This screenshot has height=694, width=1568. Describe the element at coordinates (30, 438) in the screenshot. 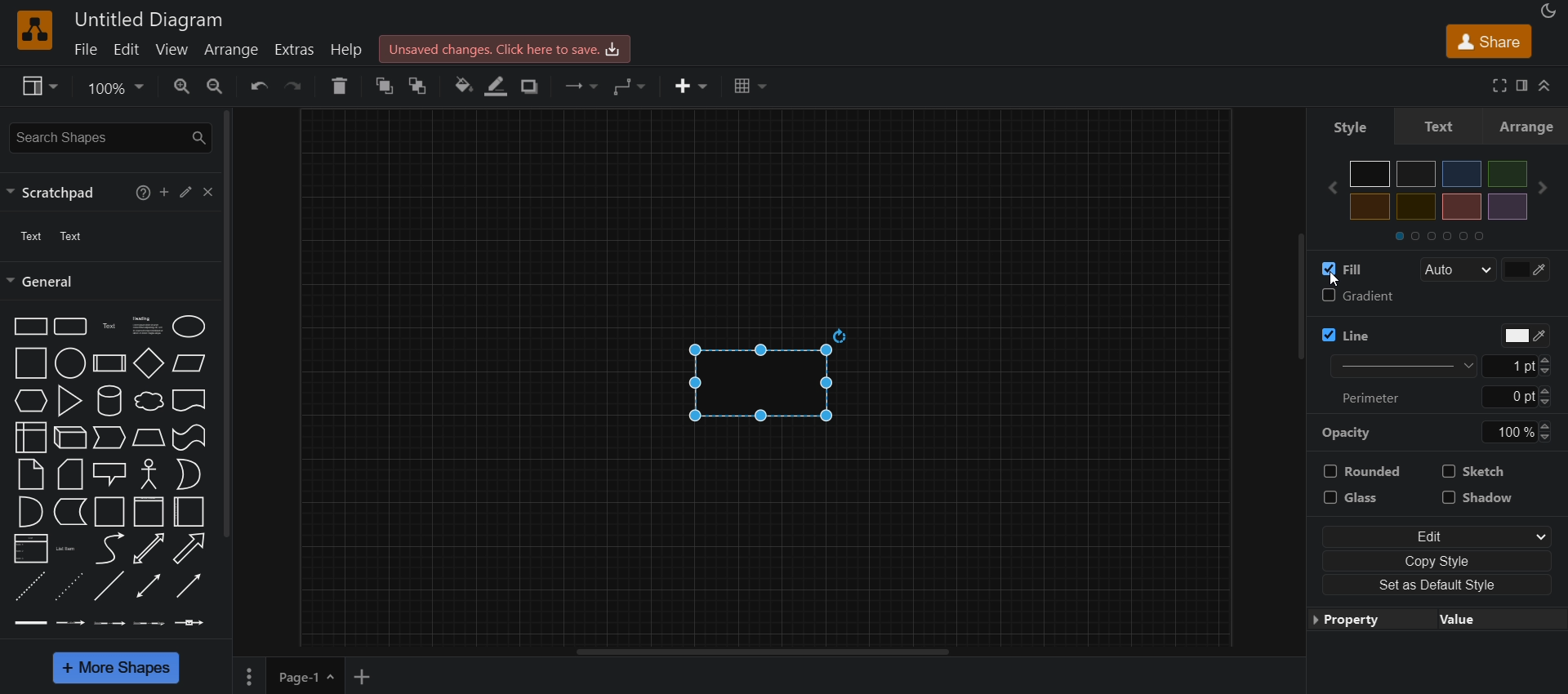

I see `internal storage` at that location.